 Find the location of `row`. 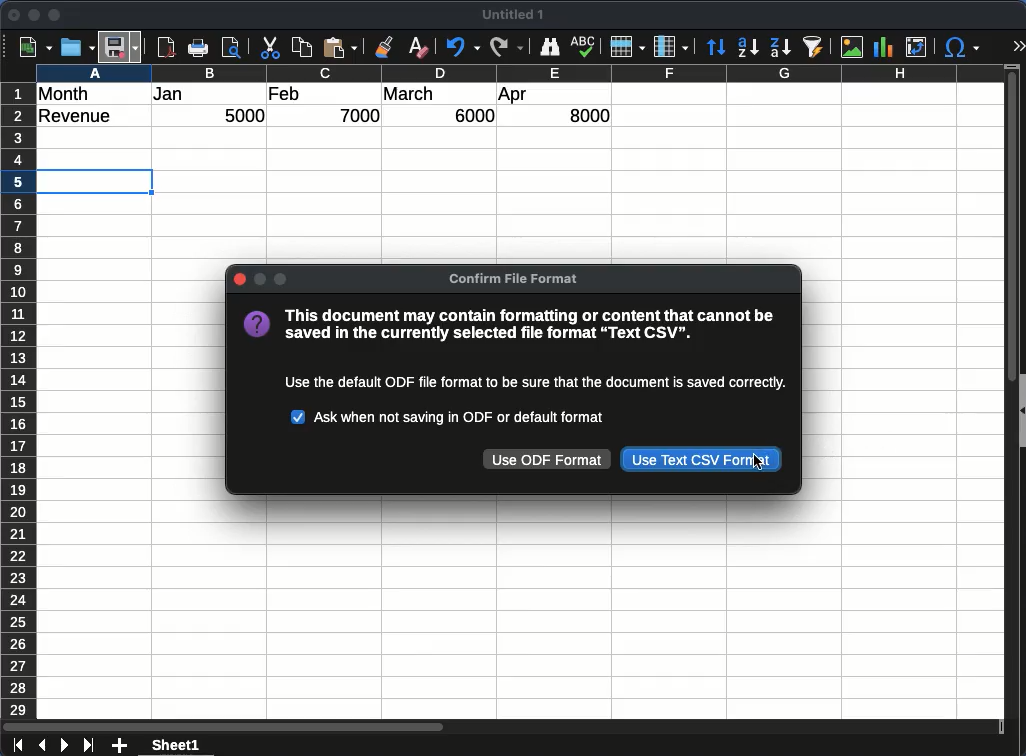

row is located at coordinates (17, 400).